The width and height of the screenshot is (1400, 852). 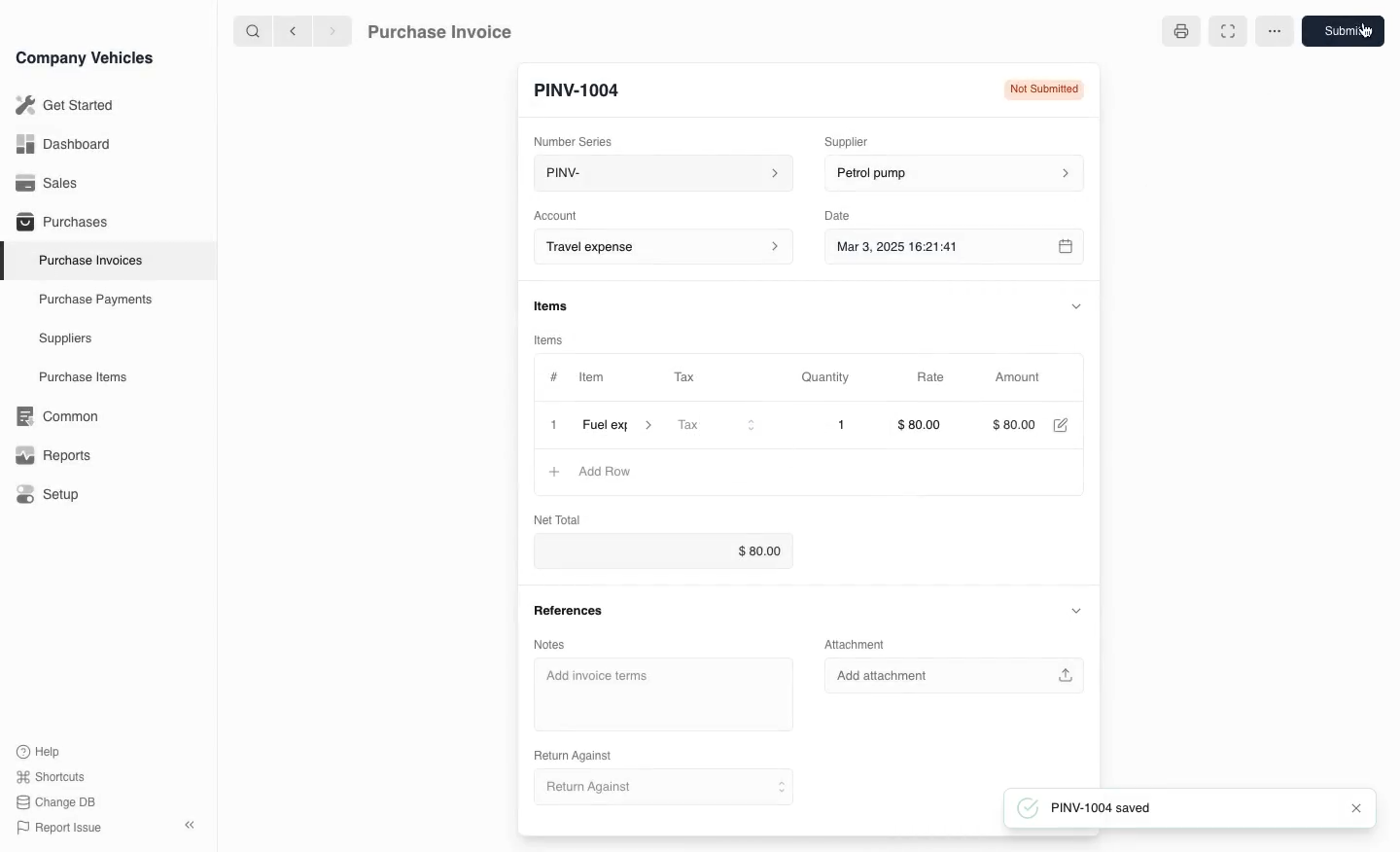 What do you see at coordinates (1077, 304) in the screenshot?
I see `collapse` at bounding box center [1077, 304].